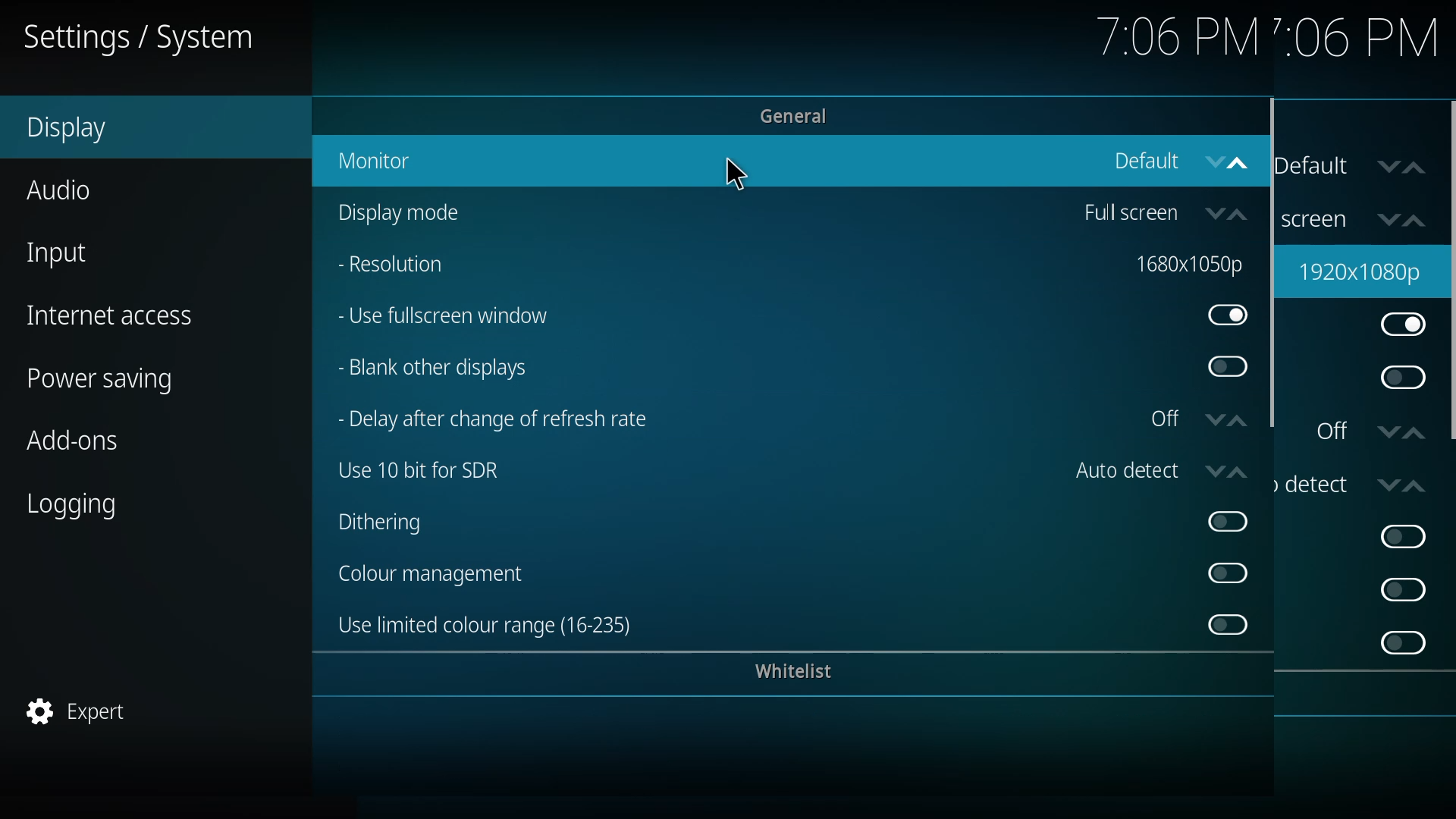  What do you see at coordinates (1231, 369) in the screenshot?
I see `disabled` at bounding box center [1231, 369].